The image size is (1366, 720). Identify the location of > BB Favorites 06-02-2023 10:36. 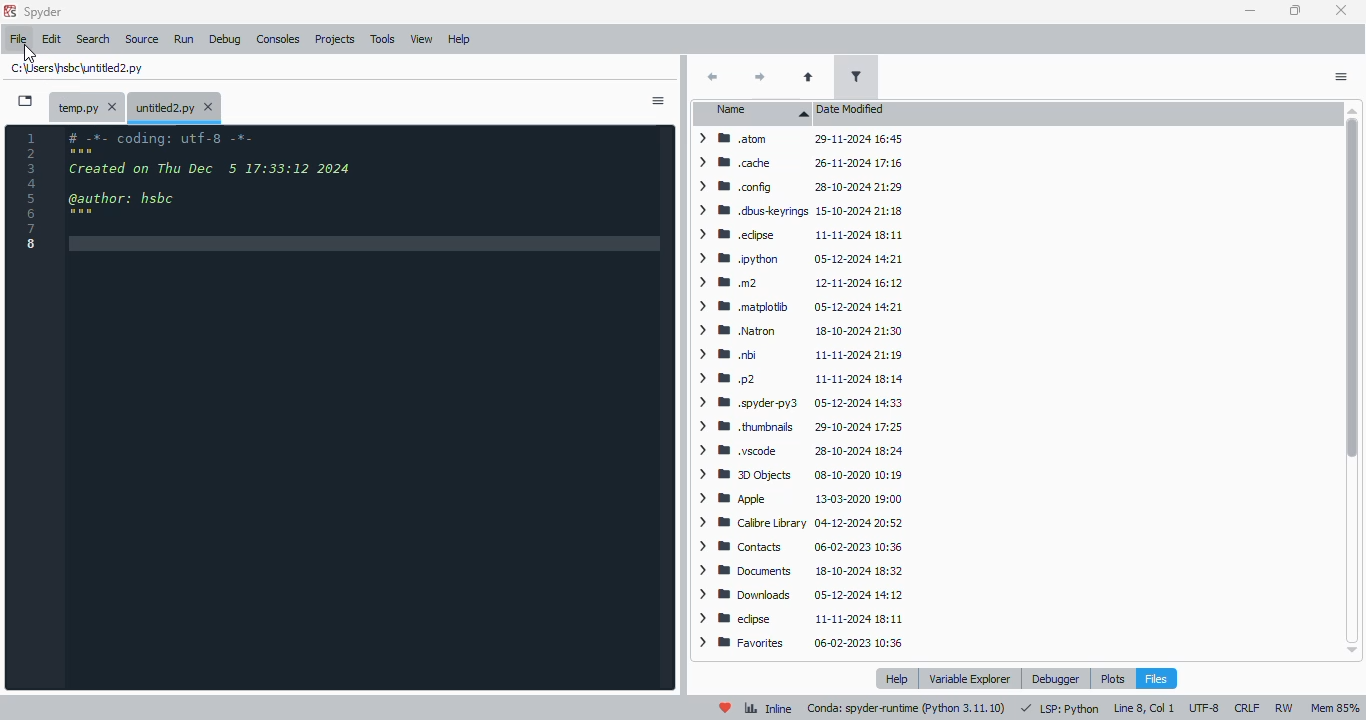
(801, 645).